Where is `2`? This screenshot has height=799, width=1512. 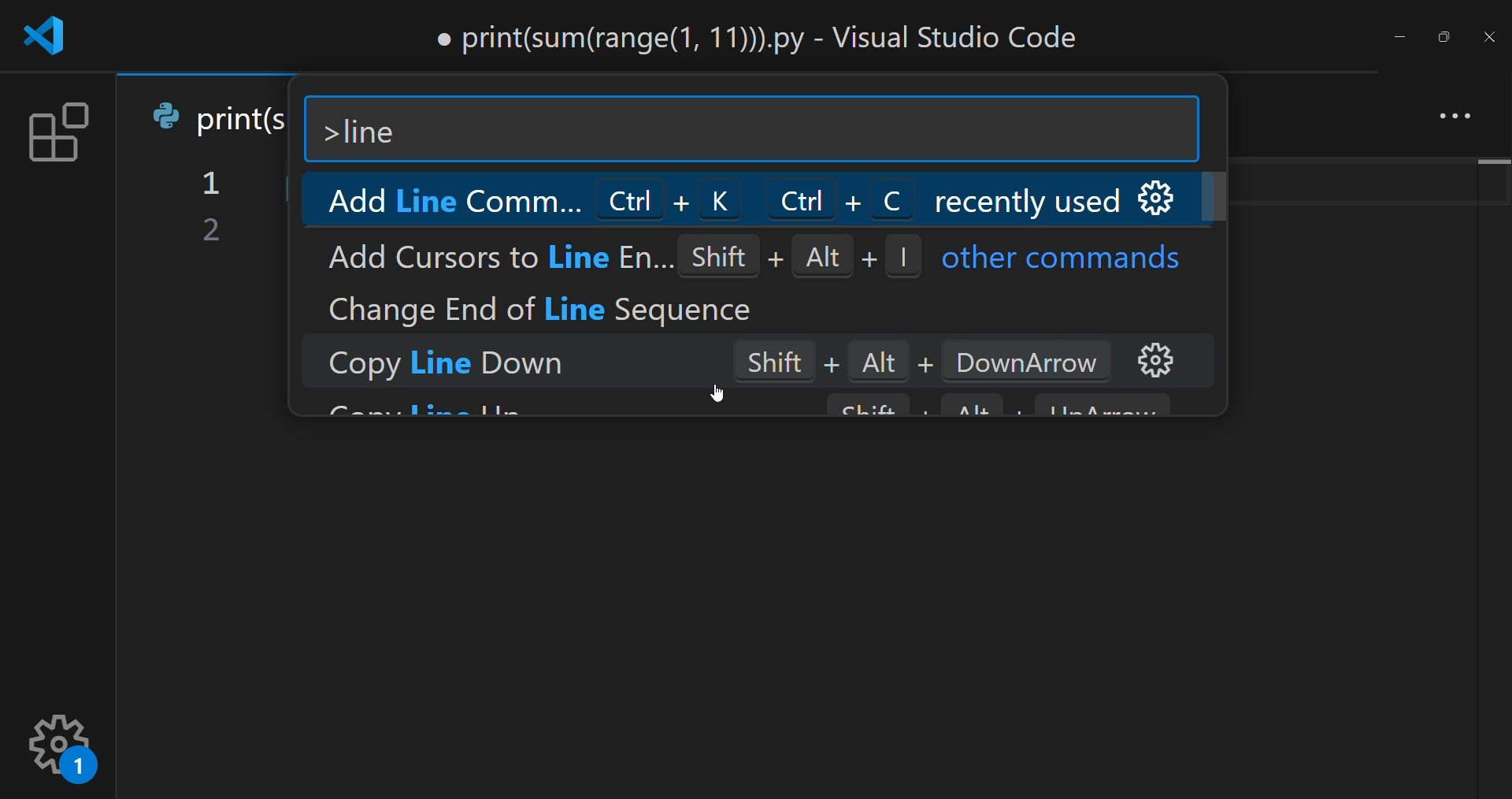 2 is located at coordinates (212, 232).